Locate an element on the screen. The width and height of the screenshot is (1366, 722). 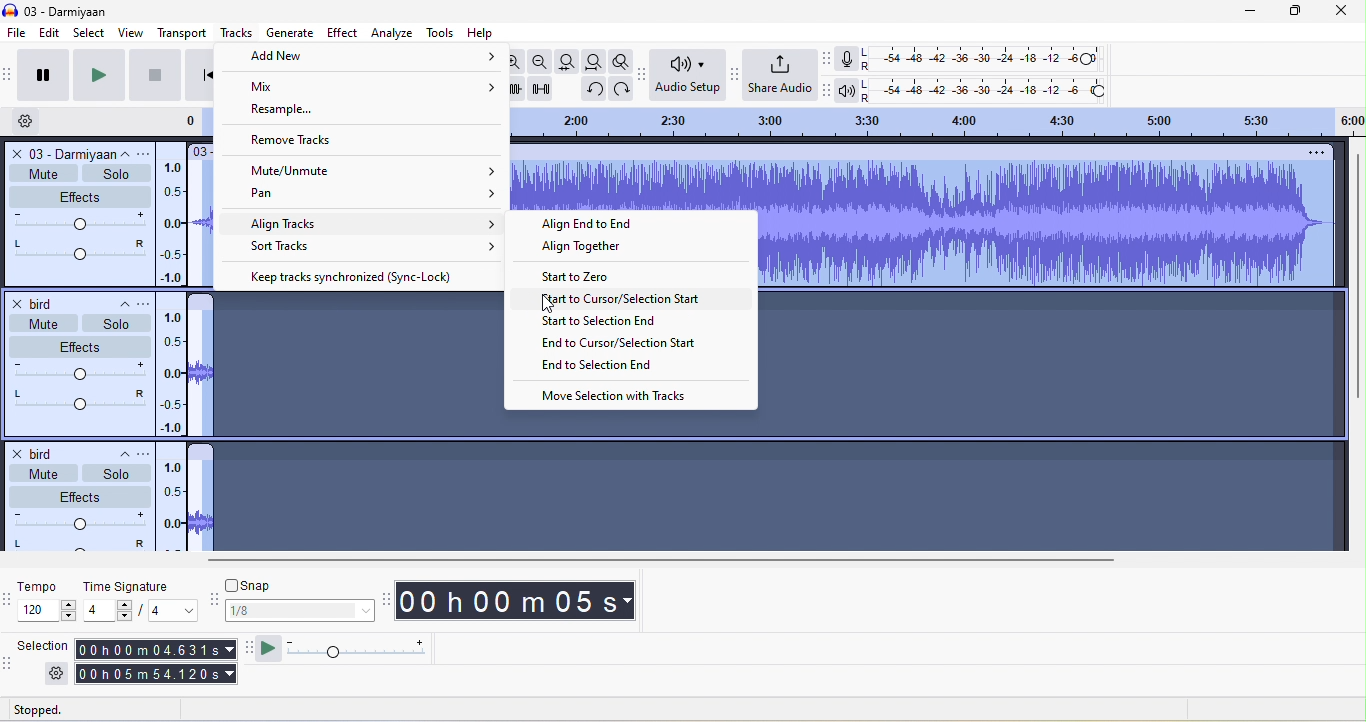
start to selection end is located at coordinates (605, 323).